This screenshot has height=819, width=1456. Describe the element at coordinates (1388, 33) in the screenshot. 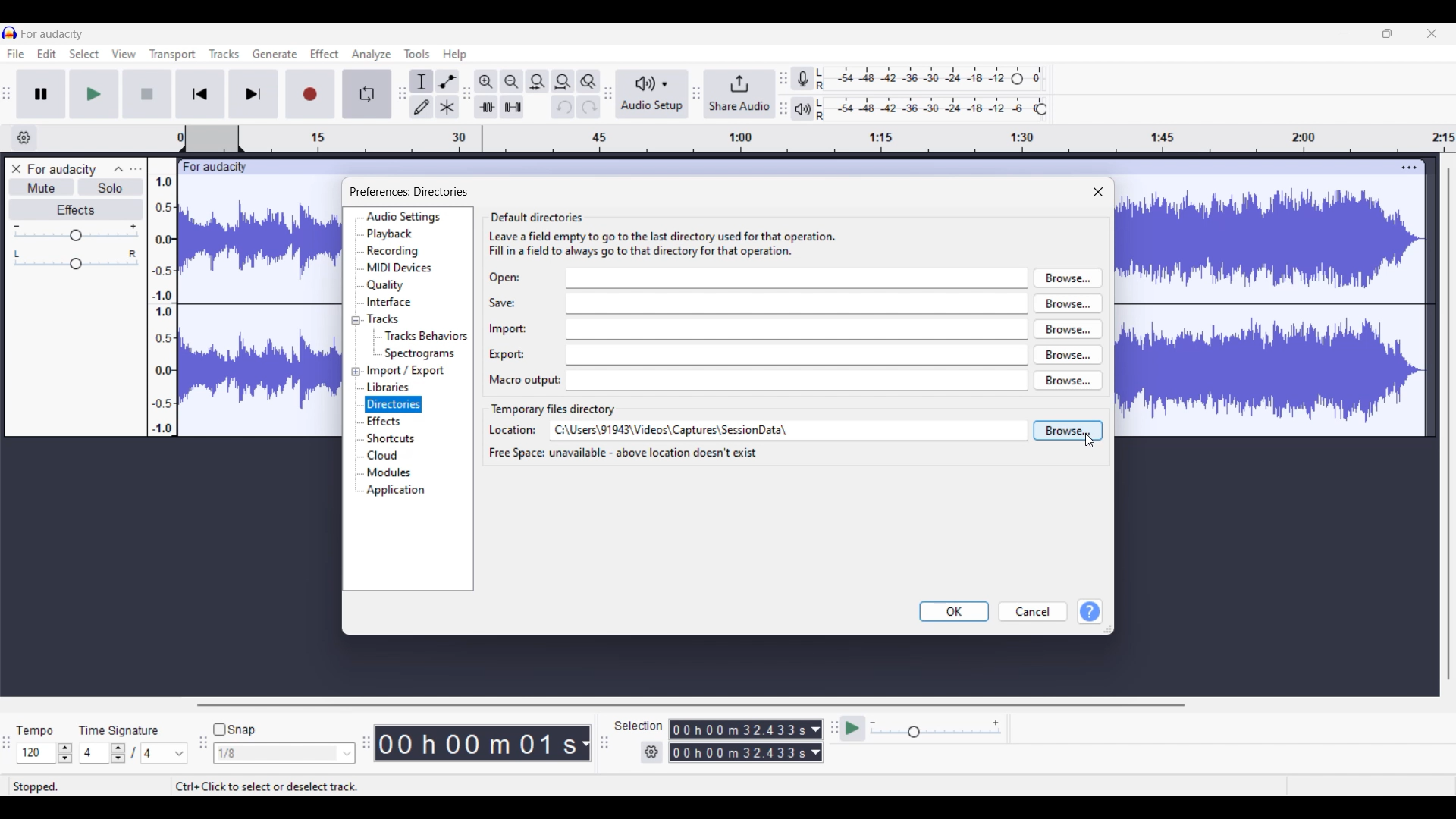

I see `Show in smaller tab` at that location.